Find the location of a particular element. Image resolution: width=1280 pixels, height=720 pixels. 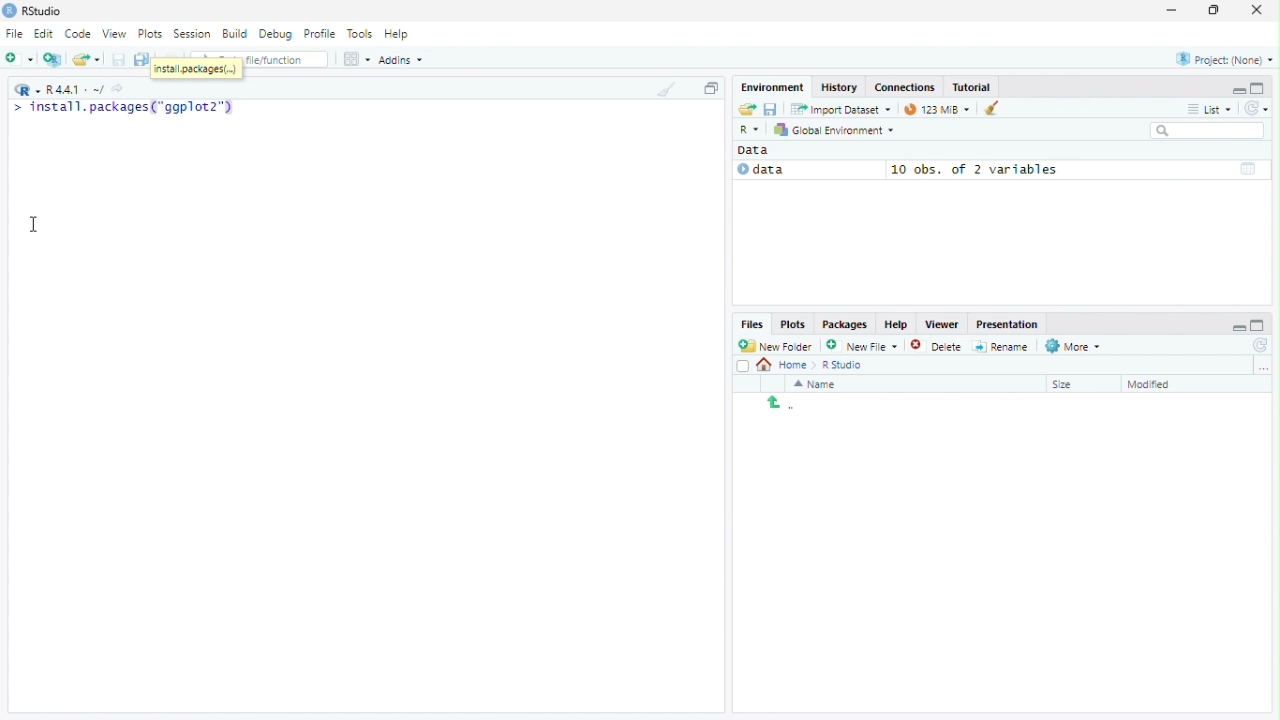

Code is located at coordinates (80, 34).